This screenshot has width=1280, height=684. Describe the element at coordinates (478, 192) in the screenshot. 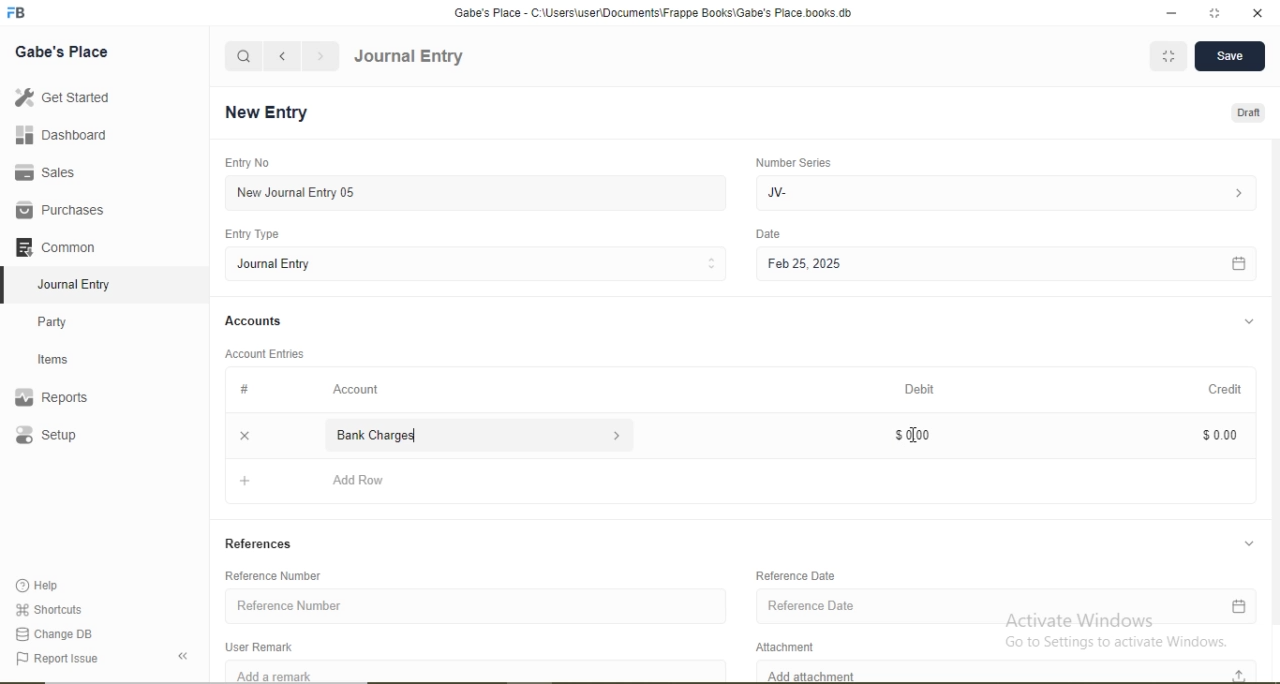

I see `New Journal Entry 05` at that location.